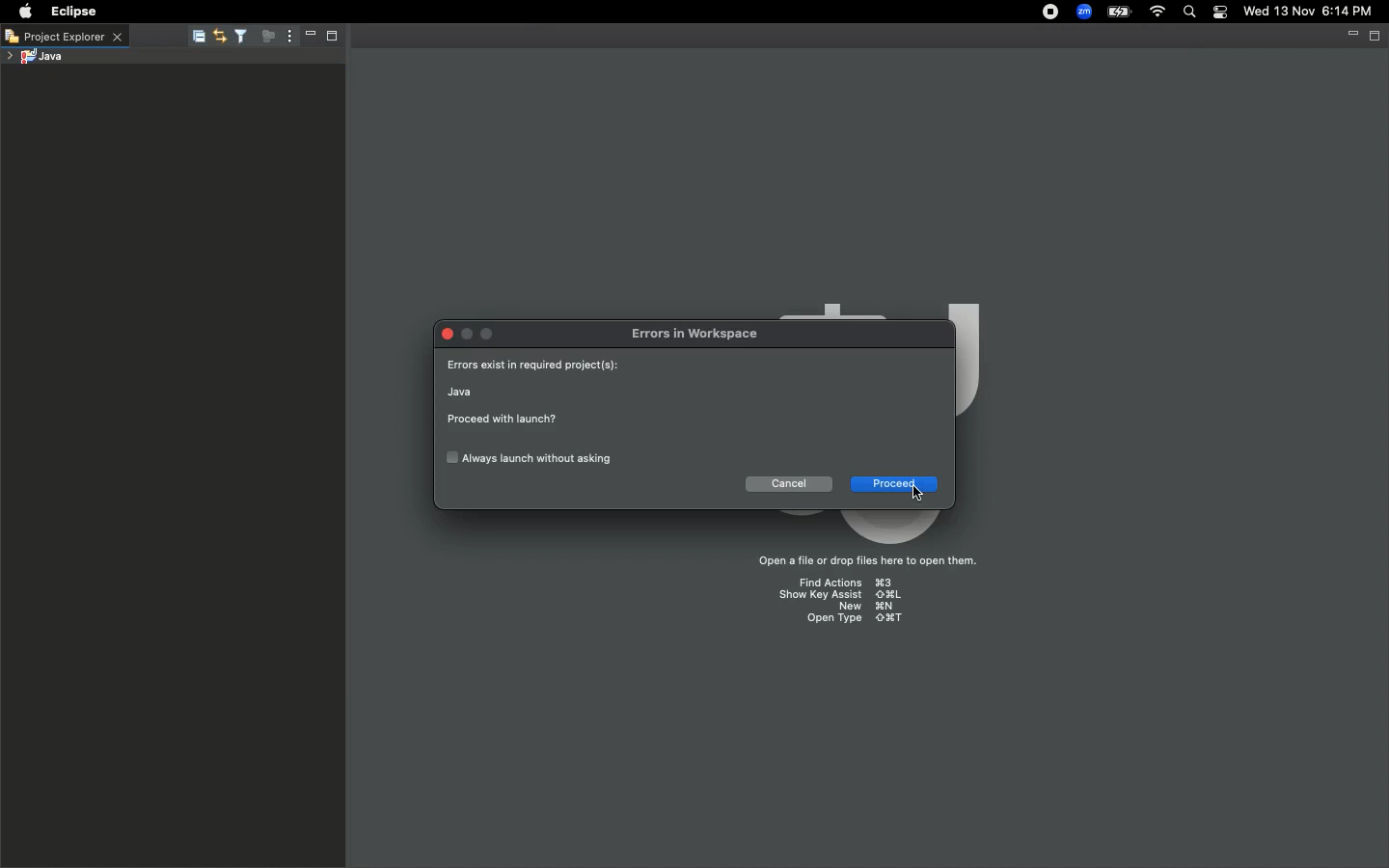 Image resolution: width=1389 pixels, height=868 pixels. Describe the element at coordinates (1188, 14) in the screenshot. I see `Search` at that location.